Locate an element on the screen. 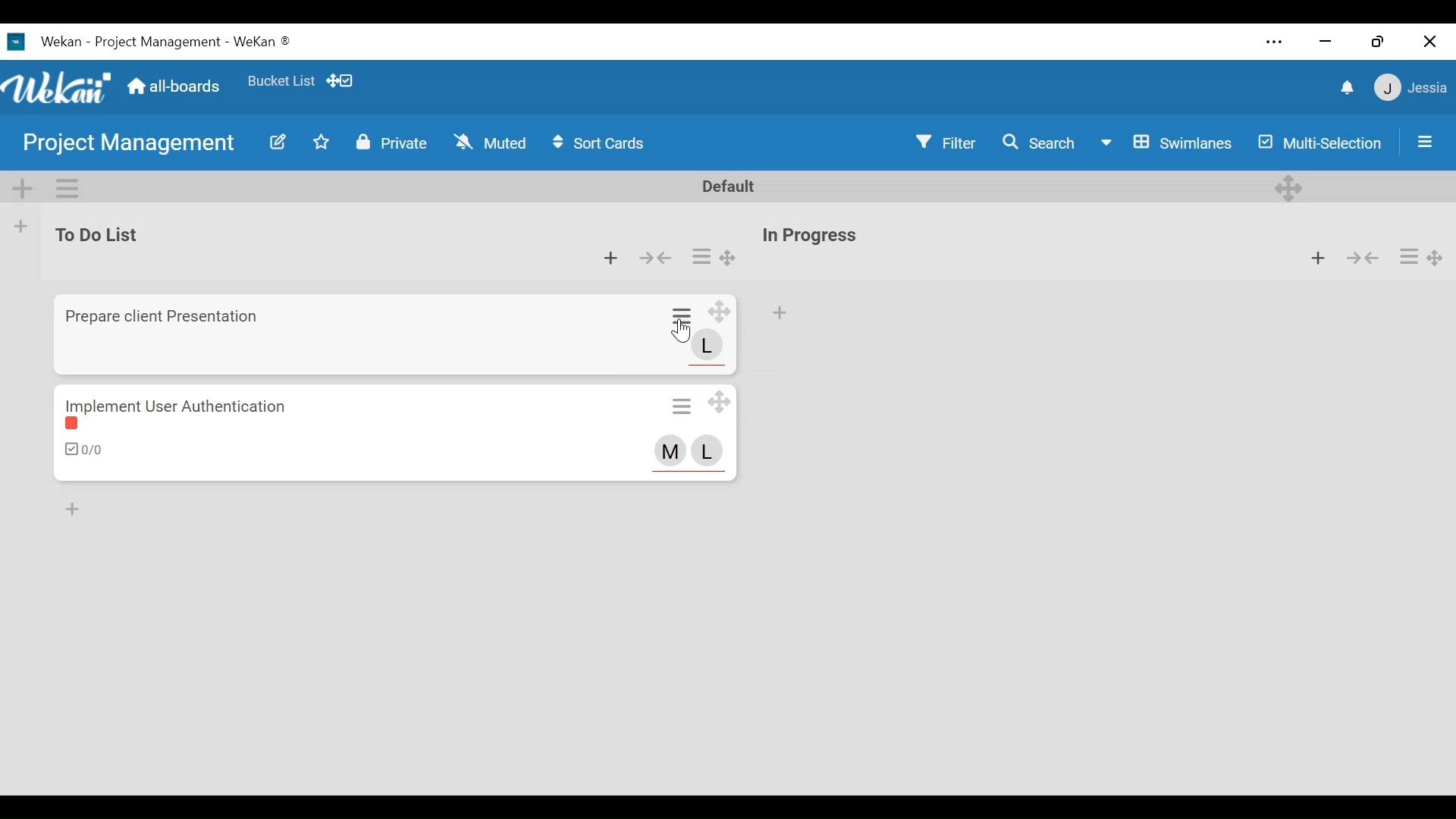  Desktop drag handles is located at coordinates (1287, 189).